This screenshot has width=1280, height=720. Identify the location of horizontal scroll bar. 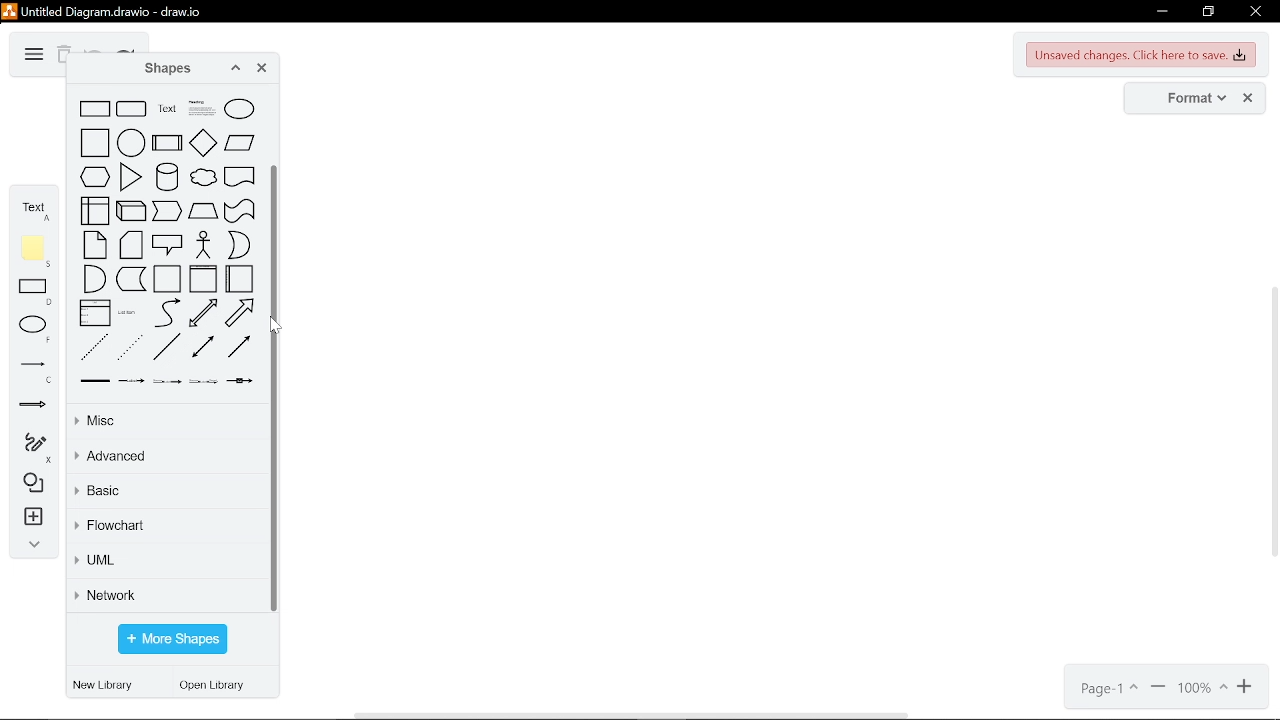
(634, 714).